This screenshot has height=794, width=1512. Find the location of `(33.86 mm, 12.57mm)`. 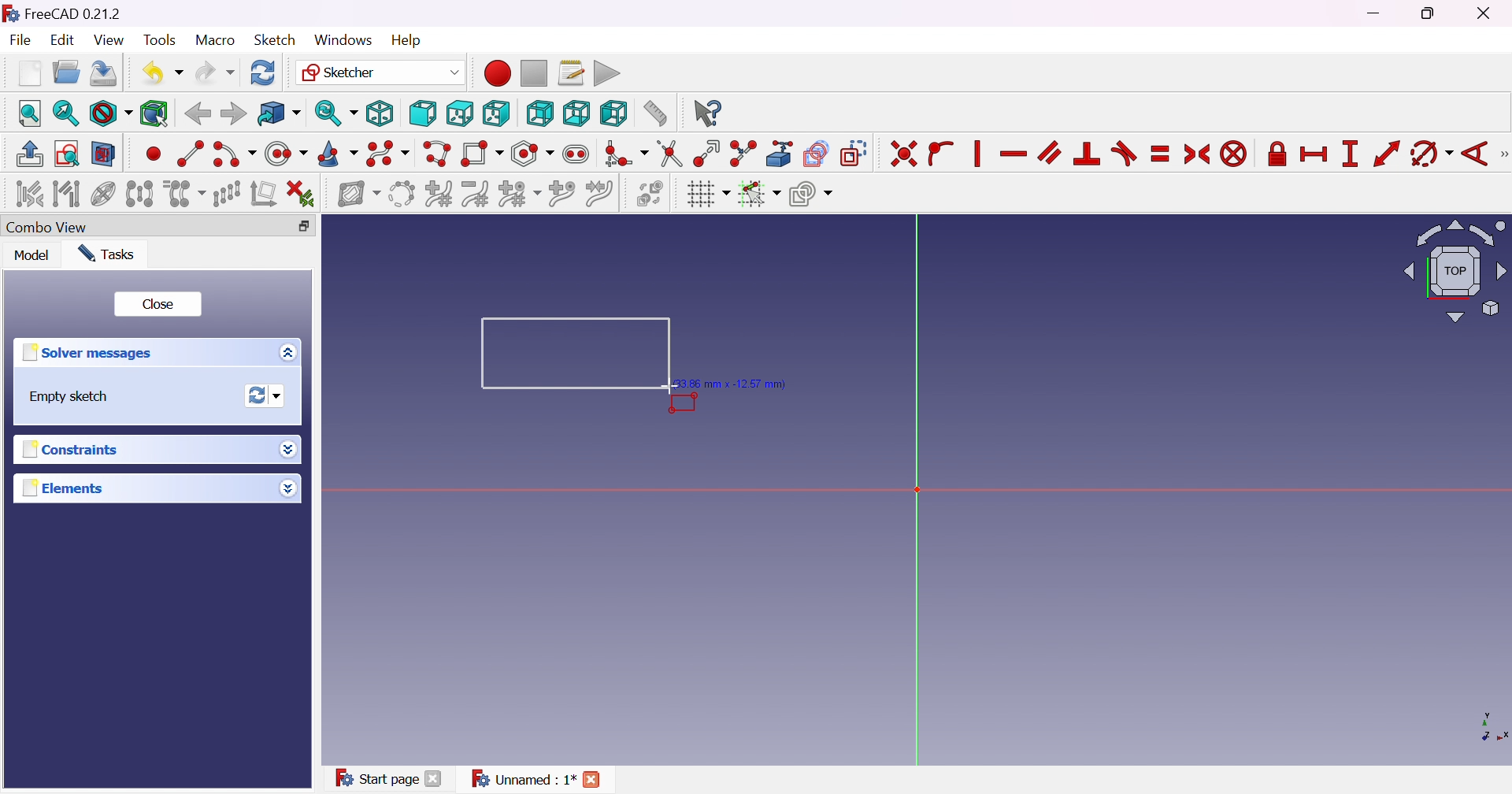

(33.86 mm, 12.57mm) is located at coordinates (736, 382).